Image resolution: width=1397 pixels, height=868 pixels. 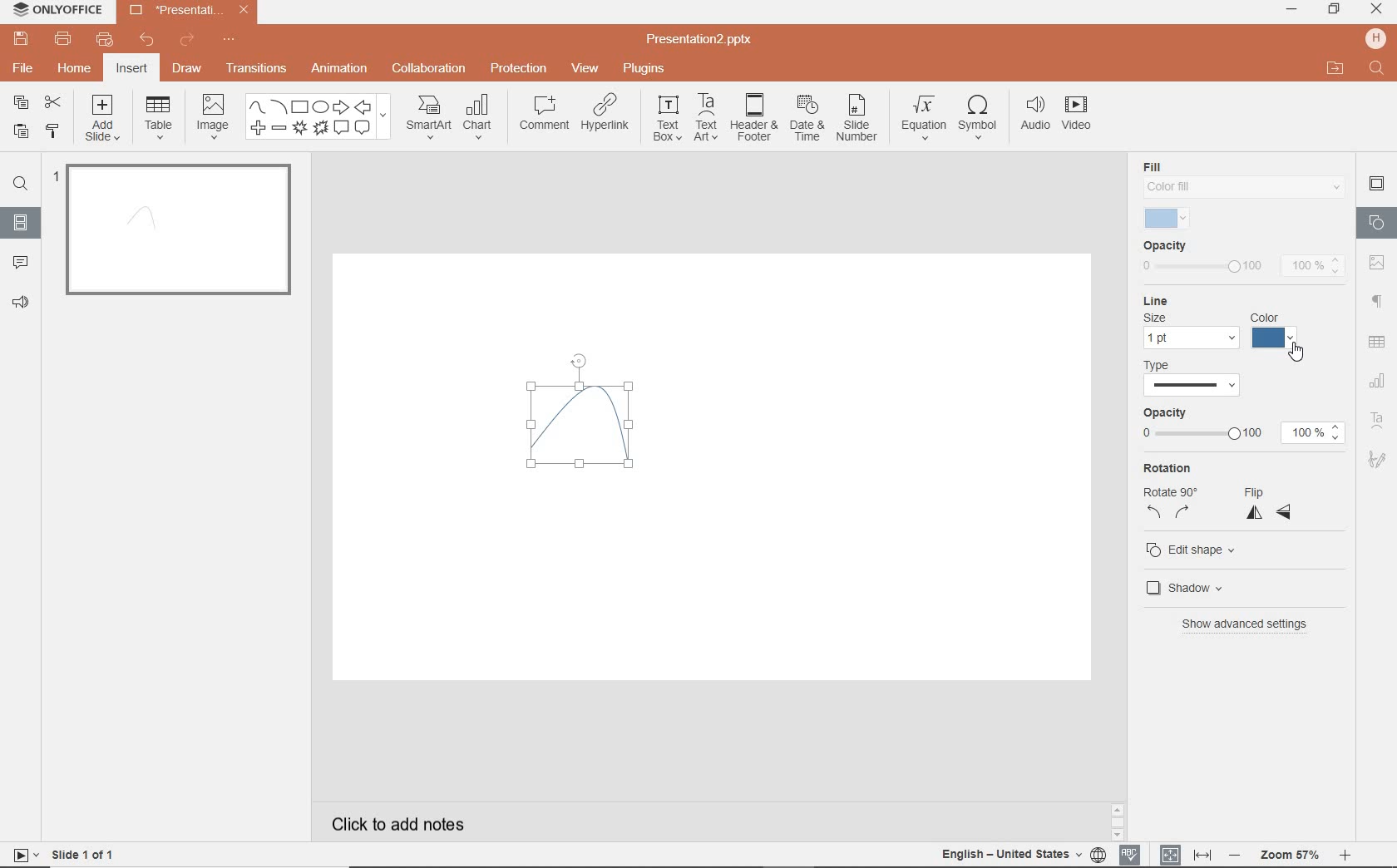 I want to click on show advanced settings, so click(x=1249, y=626).